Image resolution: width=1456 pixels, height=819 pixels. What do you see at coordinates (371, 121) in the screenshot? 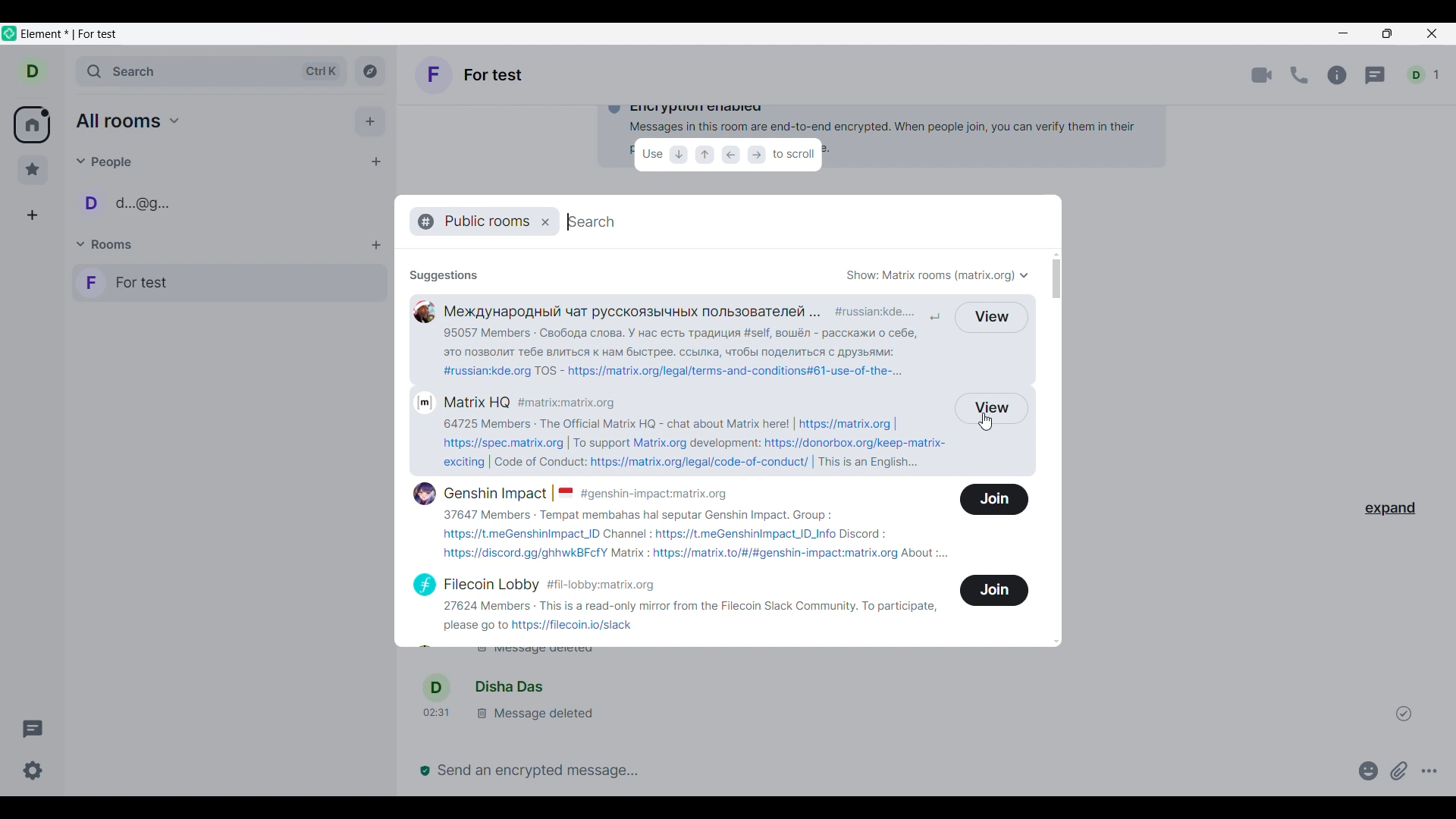
I see `Add` at bounding box center [371, 121].